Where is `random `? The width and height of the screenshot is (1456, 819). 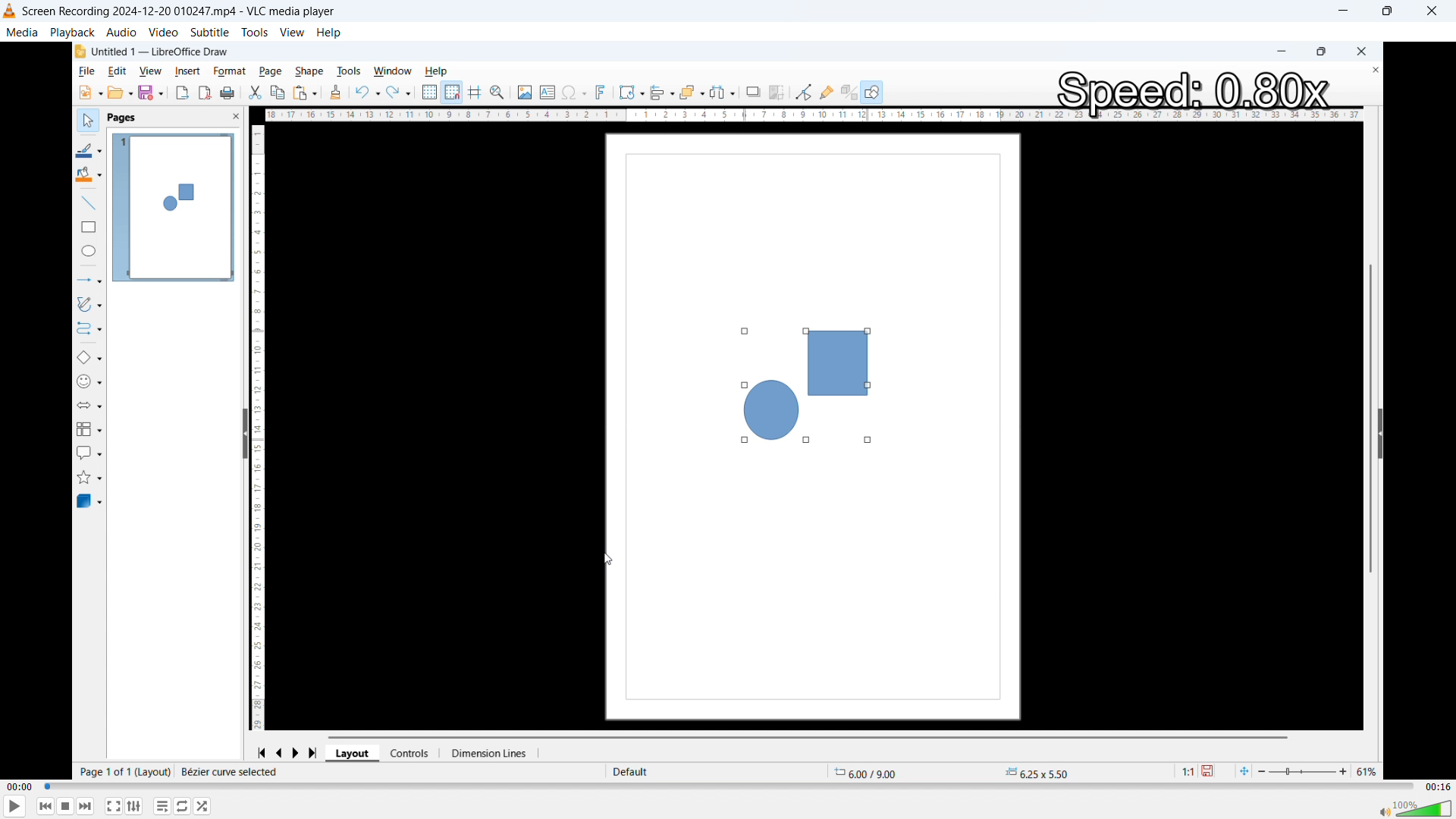
random  is located at coordinates (202, 806).